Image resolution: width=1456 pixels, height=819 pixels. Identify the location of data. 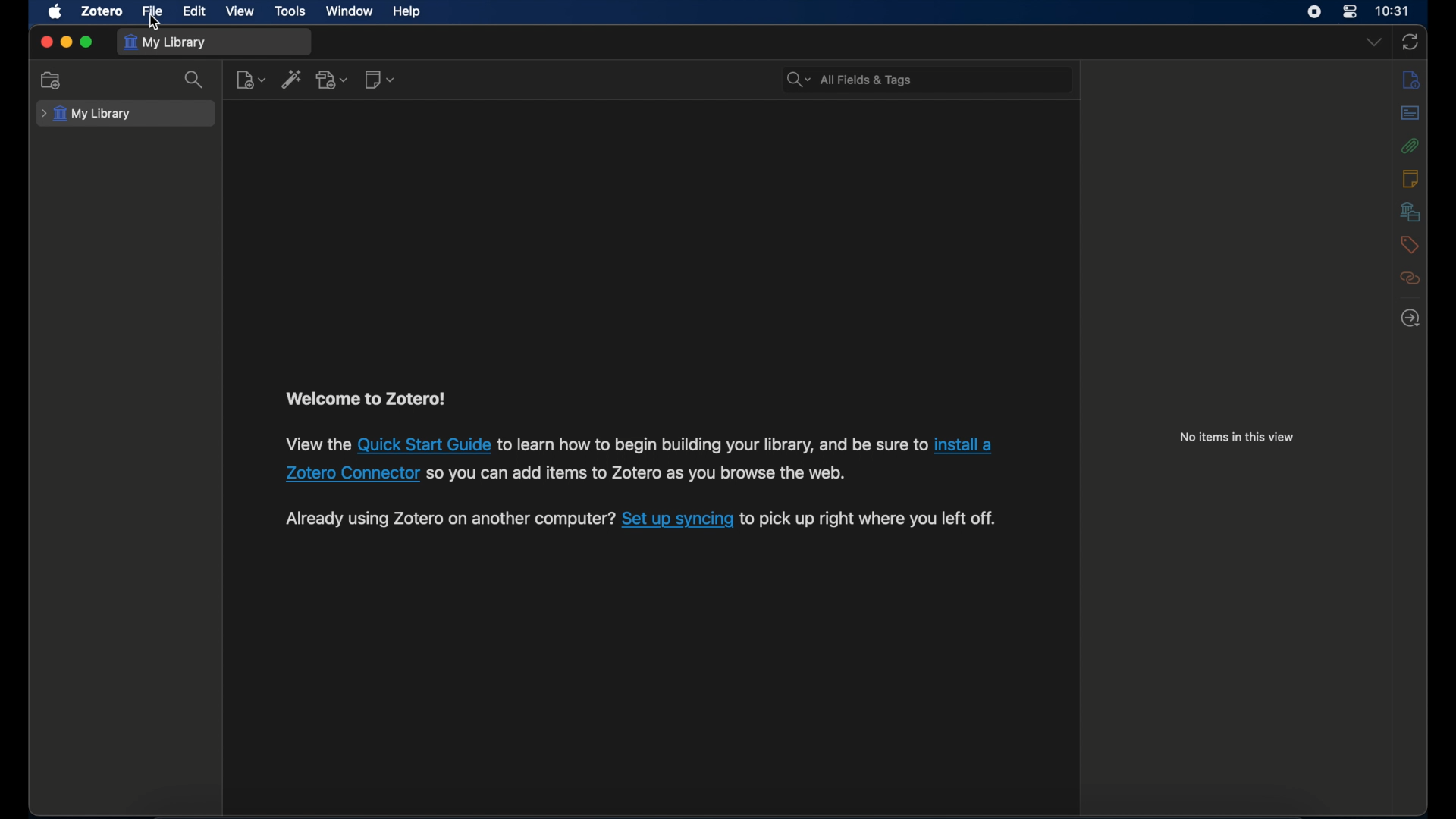
(643, 475).